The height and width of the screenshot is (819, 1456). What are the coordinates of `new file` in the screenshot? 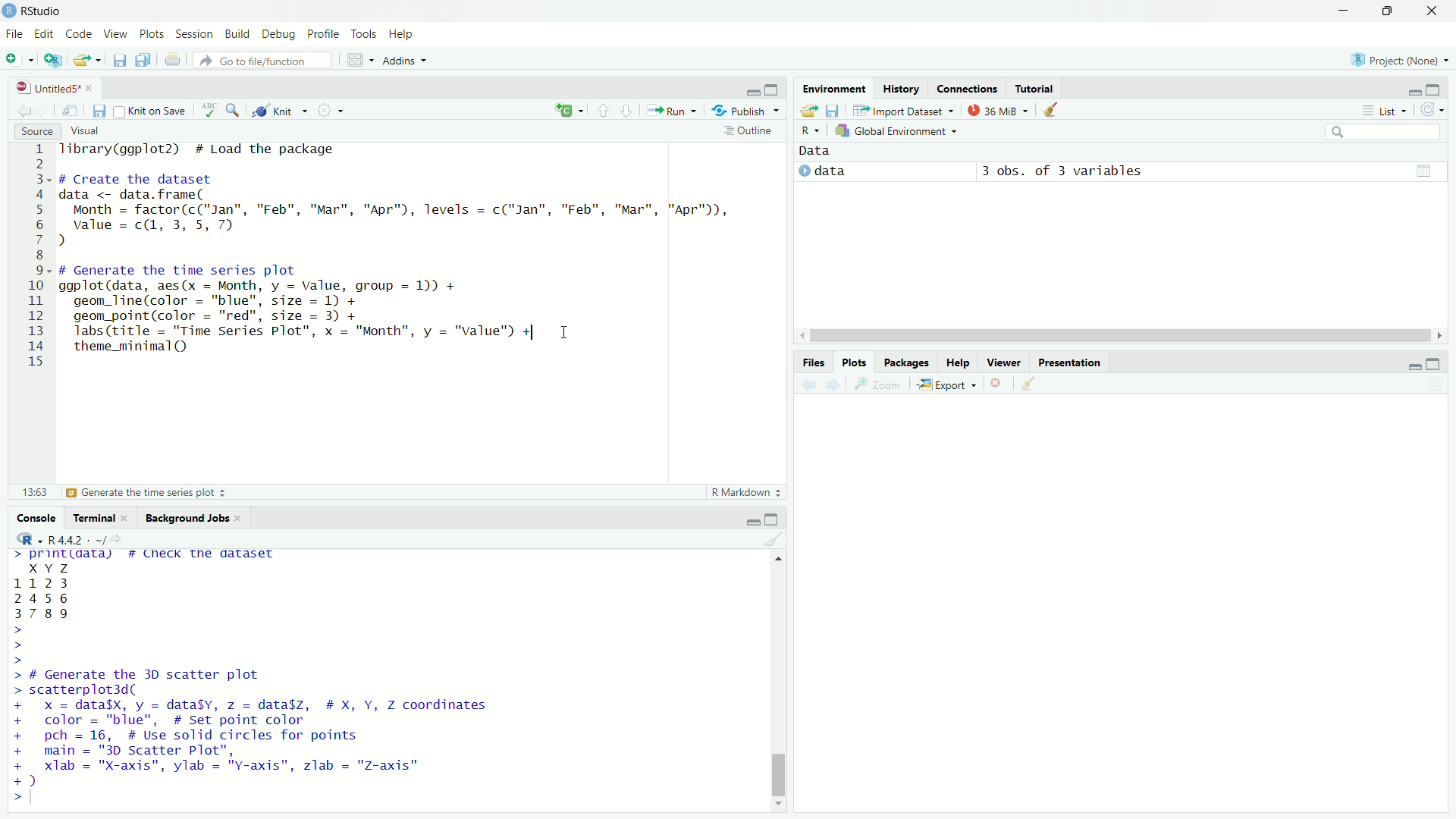 It's located at (19, 59).